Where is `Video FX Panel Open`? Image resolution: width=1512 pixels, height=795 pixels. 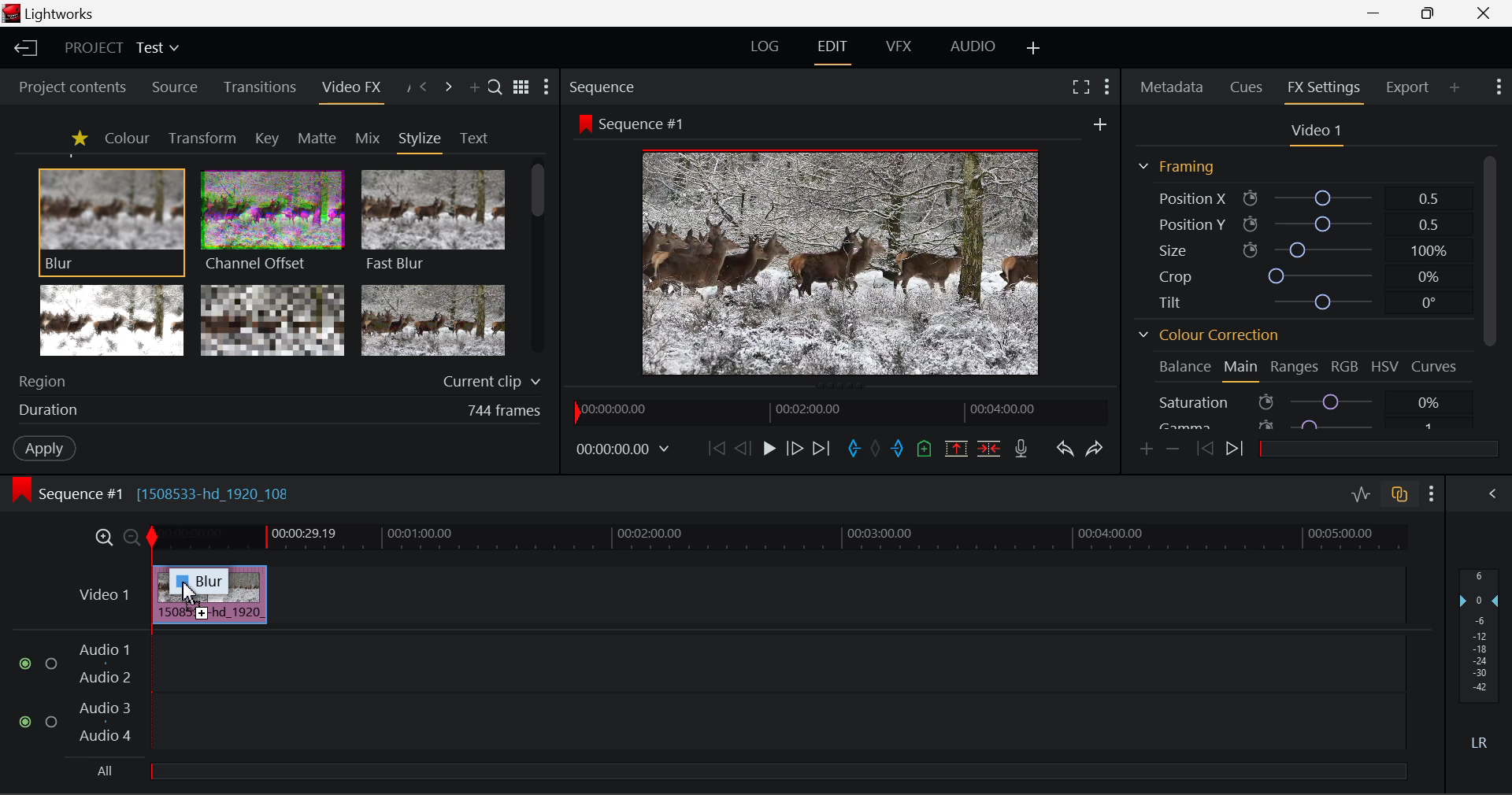 Video FX Panel Open is located at coordinates (355, 89).